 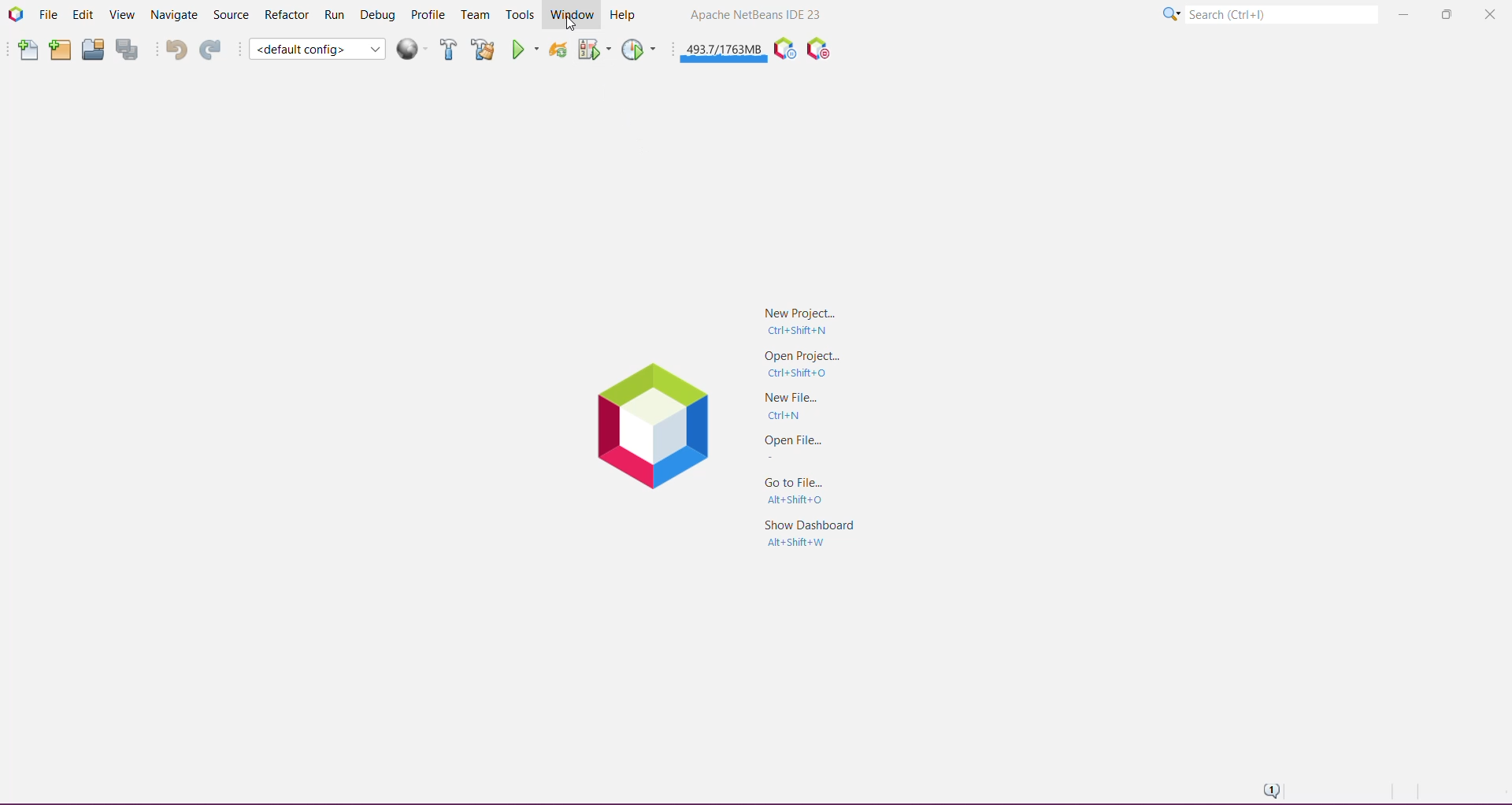 I want to click on Save All, so click(x=128, y=50).